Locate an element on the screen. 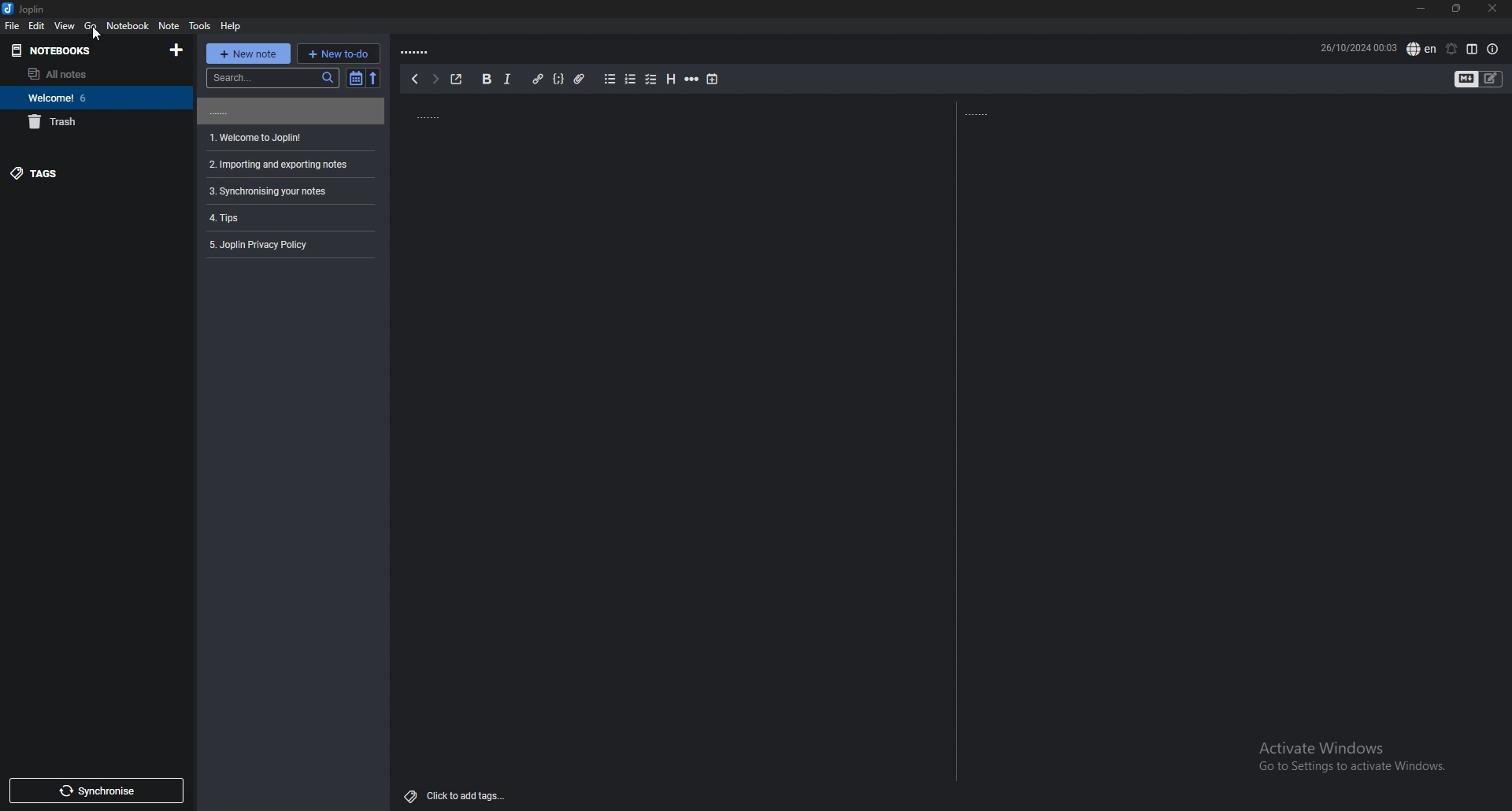  note 3 is located at coordinates (288, 165).